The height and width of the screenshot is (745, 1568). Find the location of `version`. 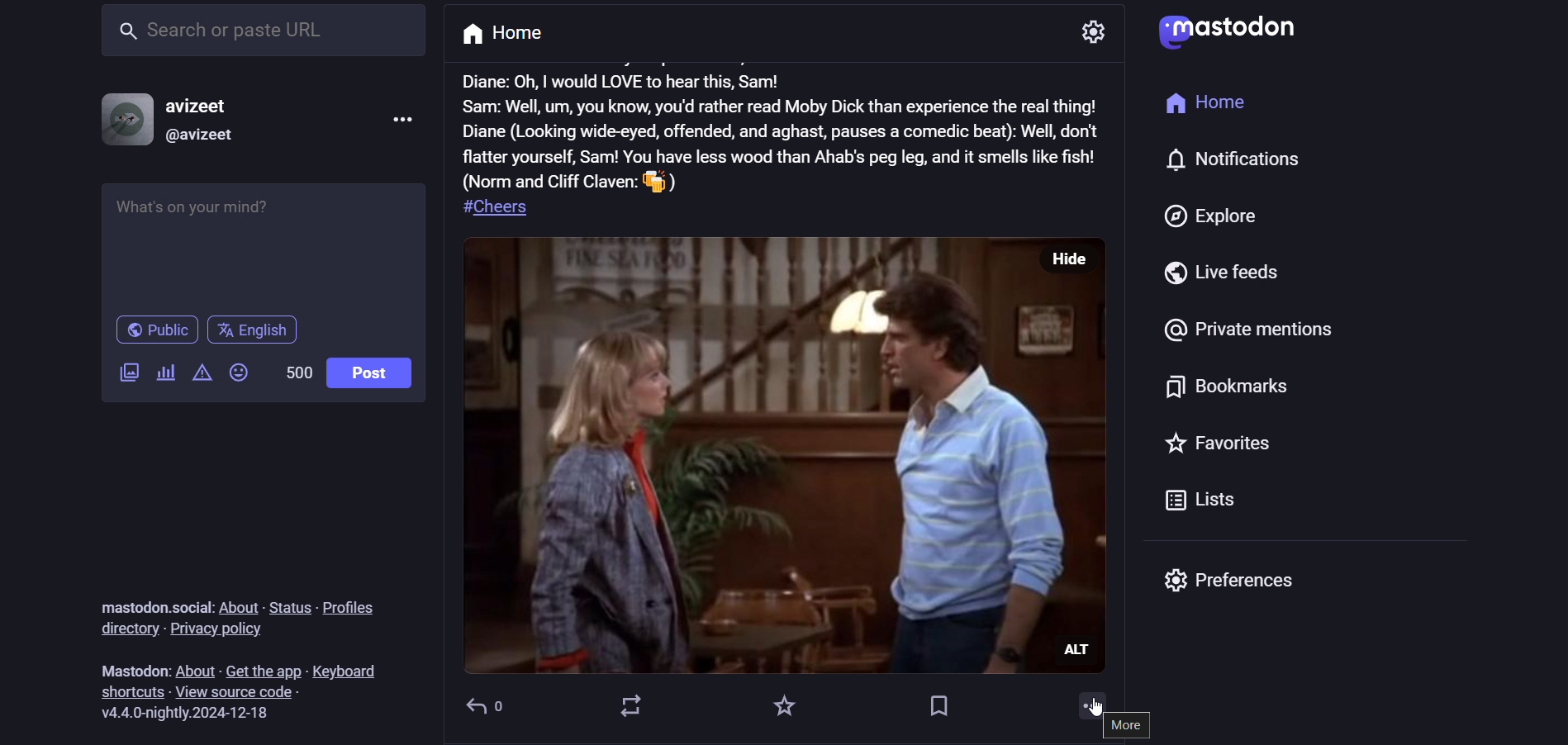

version is located at coordinates (187, 718).